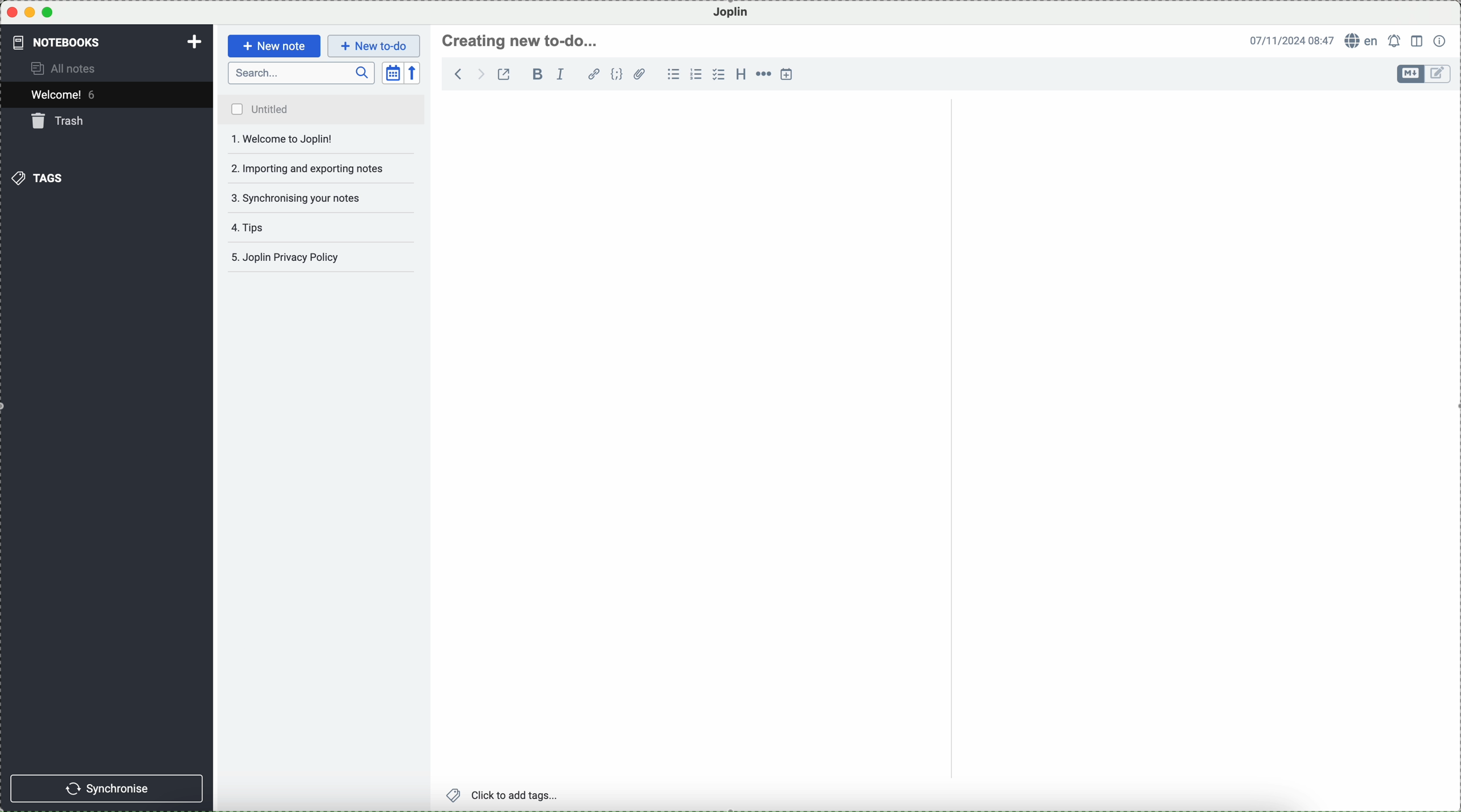  Describe the element at coordinates (195, 43) in the screenshot. I see `add new notebook` at that location.